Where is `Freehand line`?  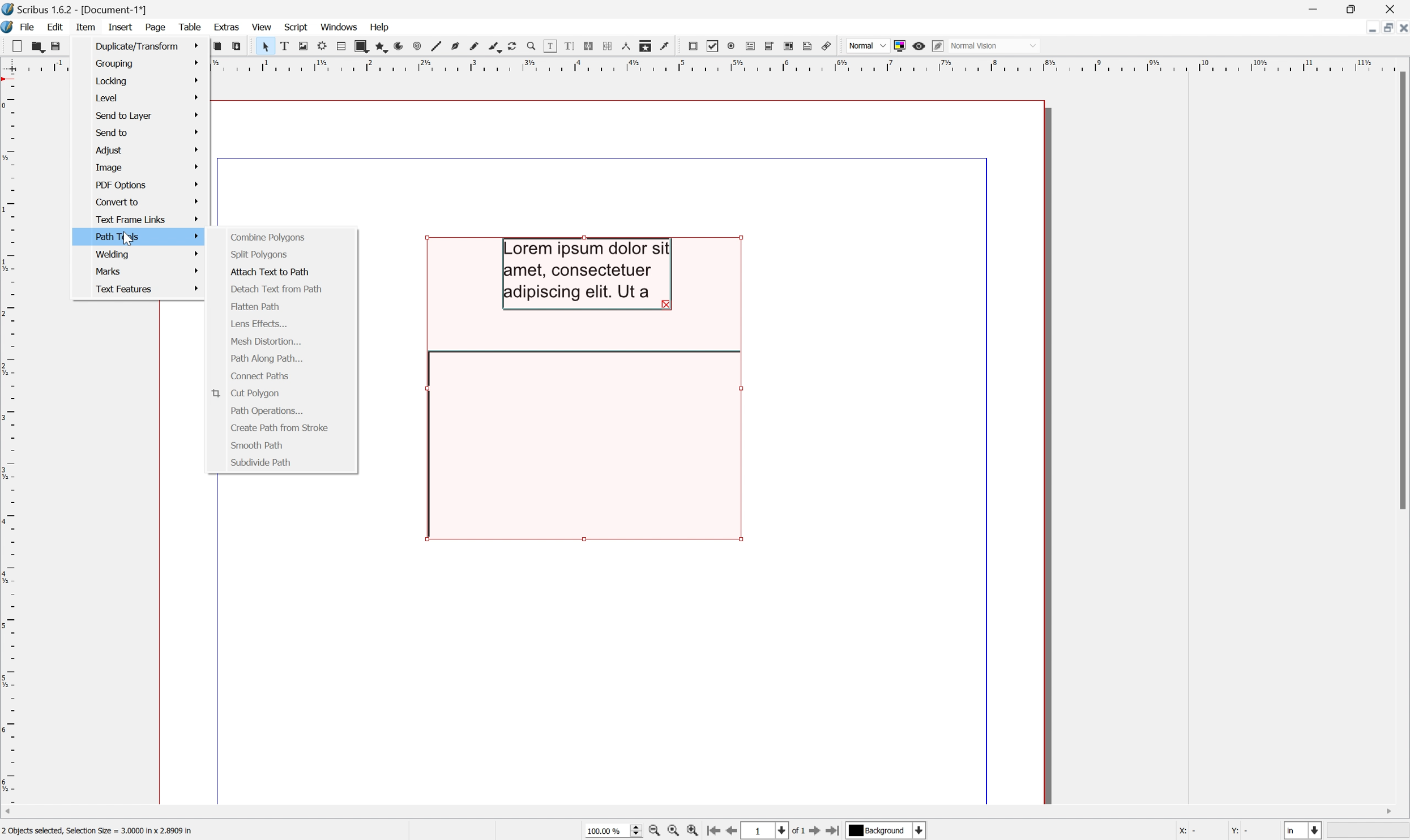
Freehand line is located at coordinates (473, 48).